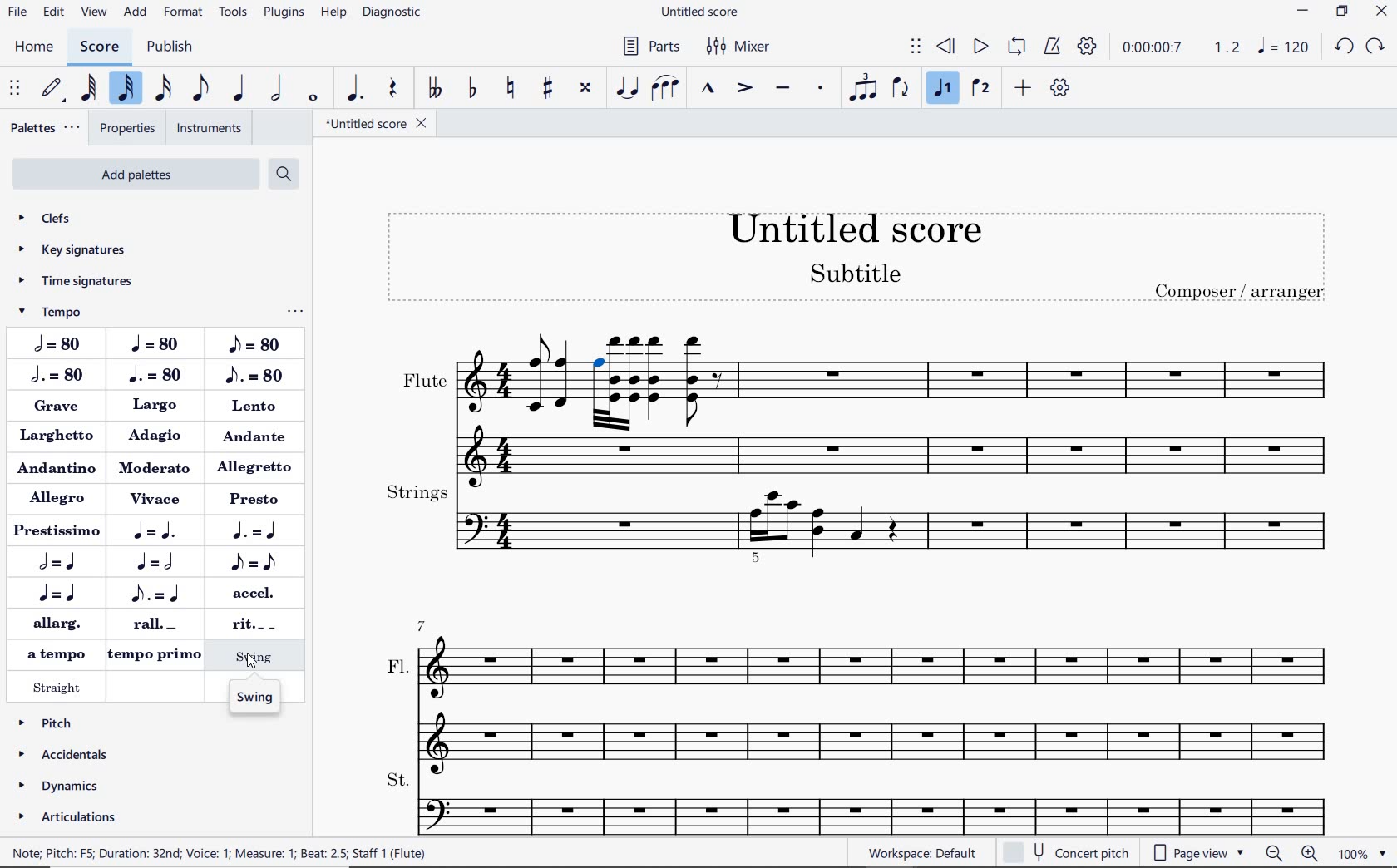 The image size is (1397, 868). What do you see at coordinates (1286, 48) in the screenshot?
I see `note` at bounding box center [1286, 48].